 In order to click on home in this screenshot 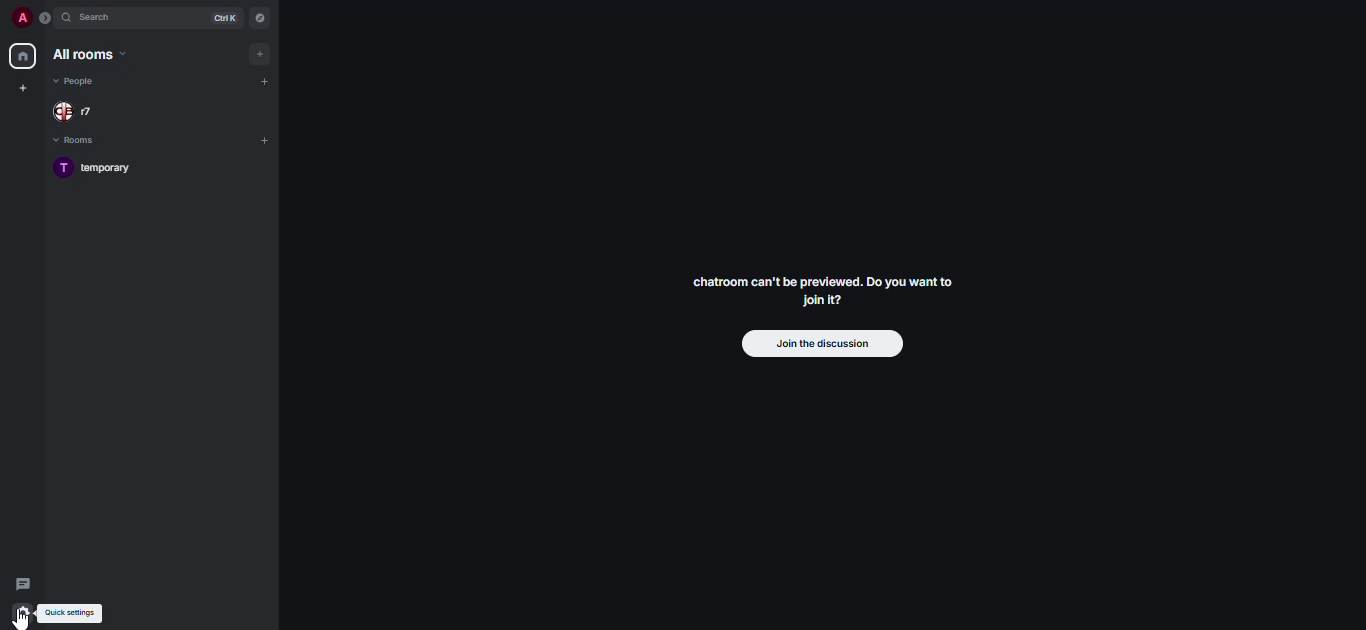, I will do `click(23, 56)`.